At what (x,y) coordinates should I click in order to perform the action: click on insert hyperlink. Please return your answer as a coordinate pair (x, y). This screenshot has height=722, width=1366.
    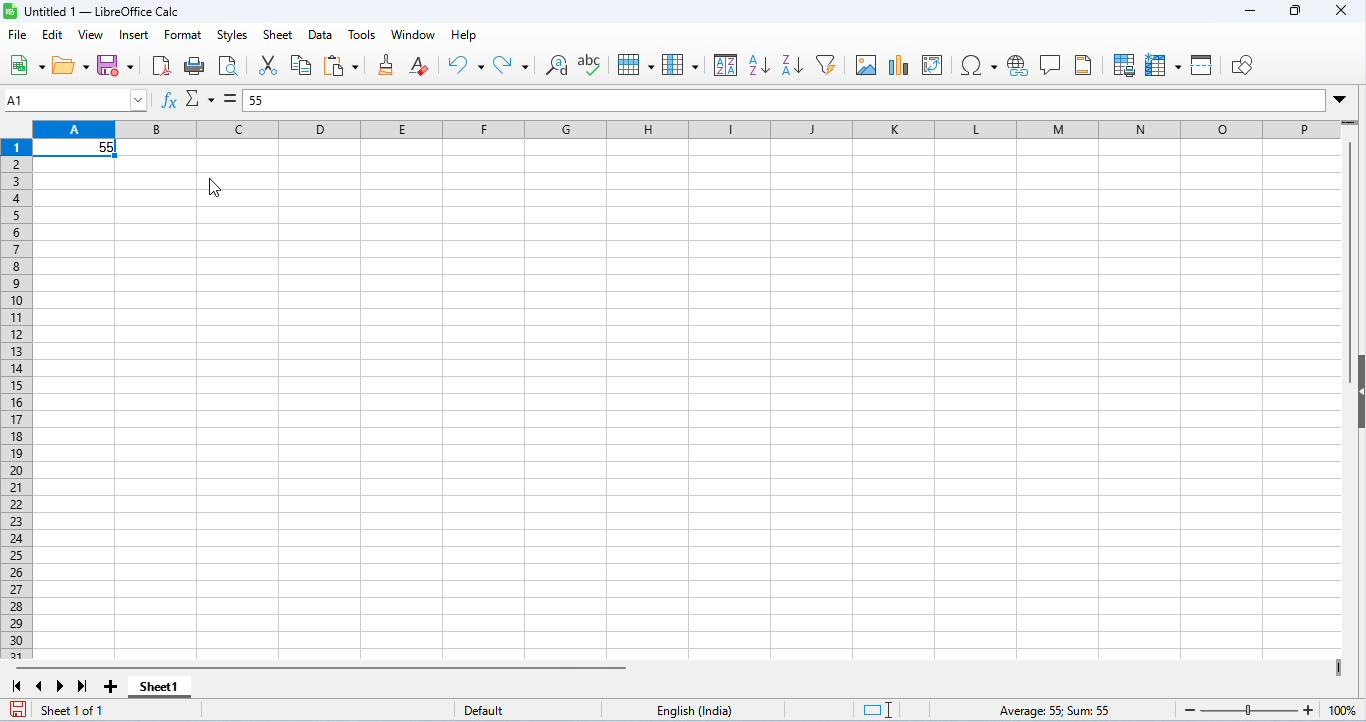
    Looking at the image, I should click on (1019, 66).